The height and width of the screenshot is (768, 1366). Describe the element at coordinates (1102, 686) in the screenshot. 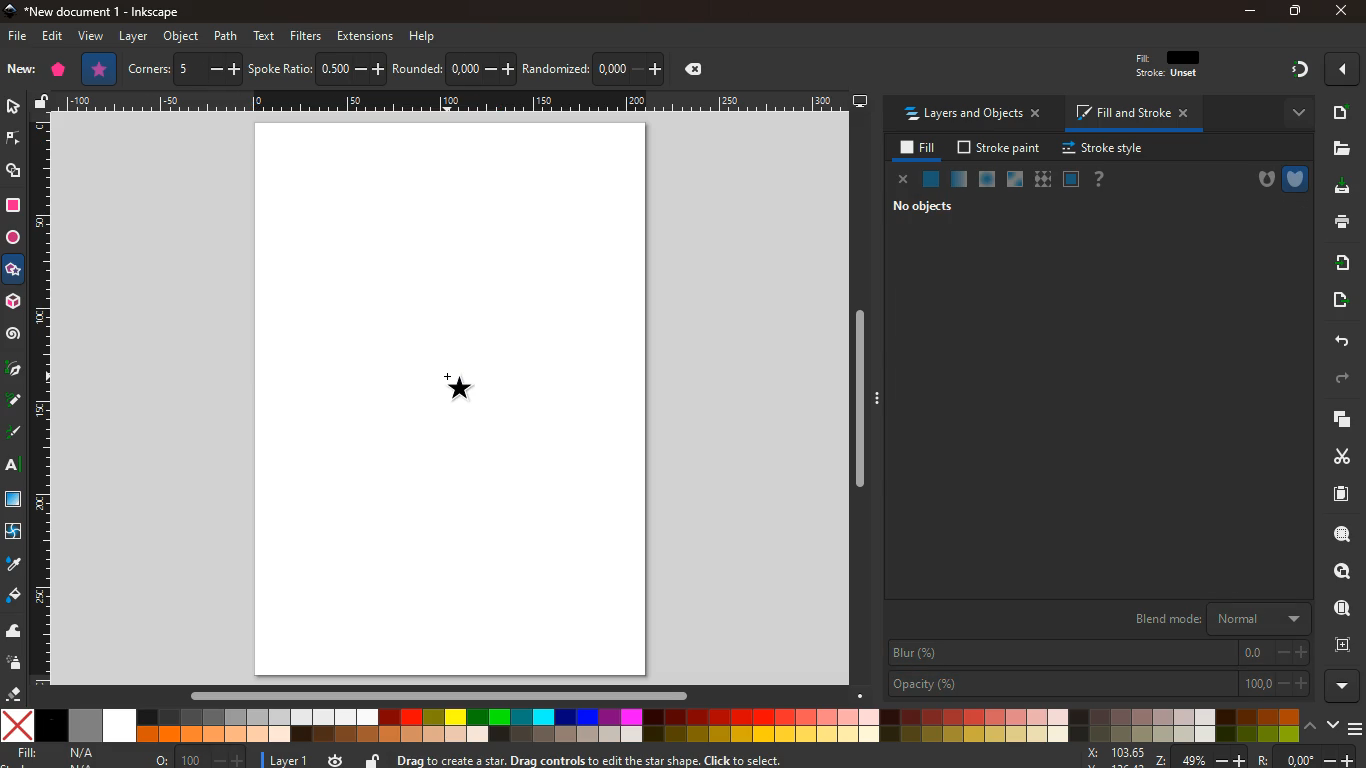

I see `opacity` at that location.